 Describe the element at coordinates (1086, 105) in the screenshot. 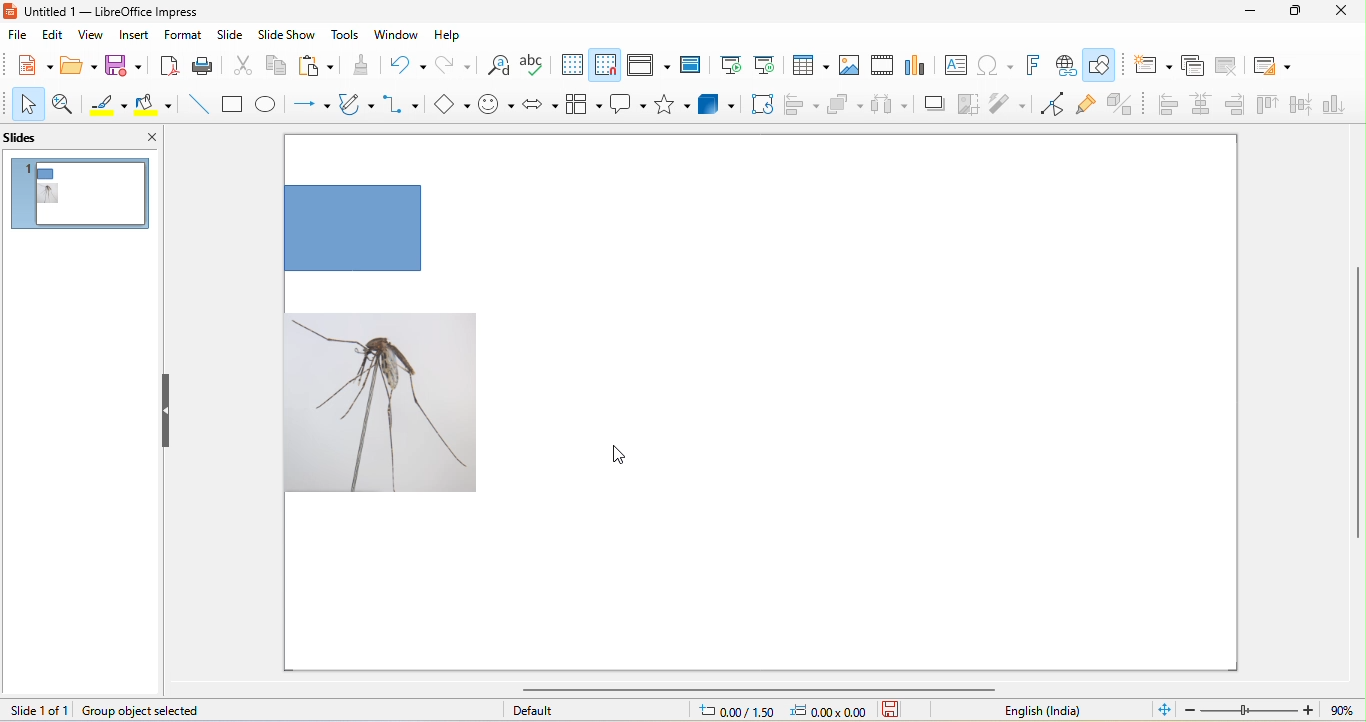

I see `gluepoint function` at that location.